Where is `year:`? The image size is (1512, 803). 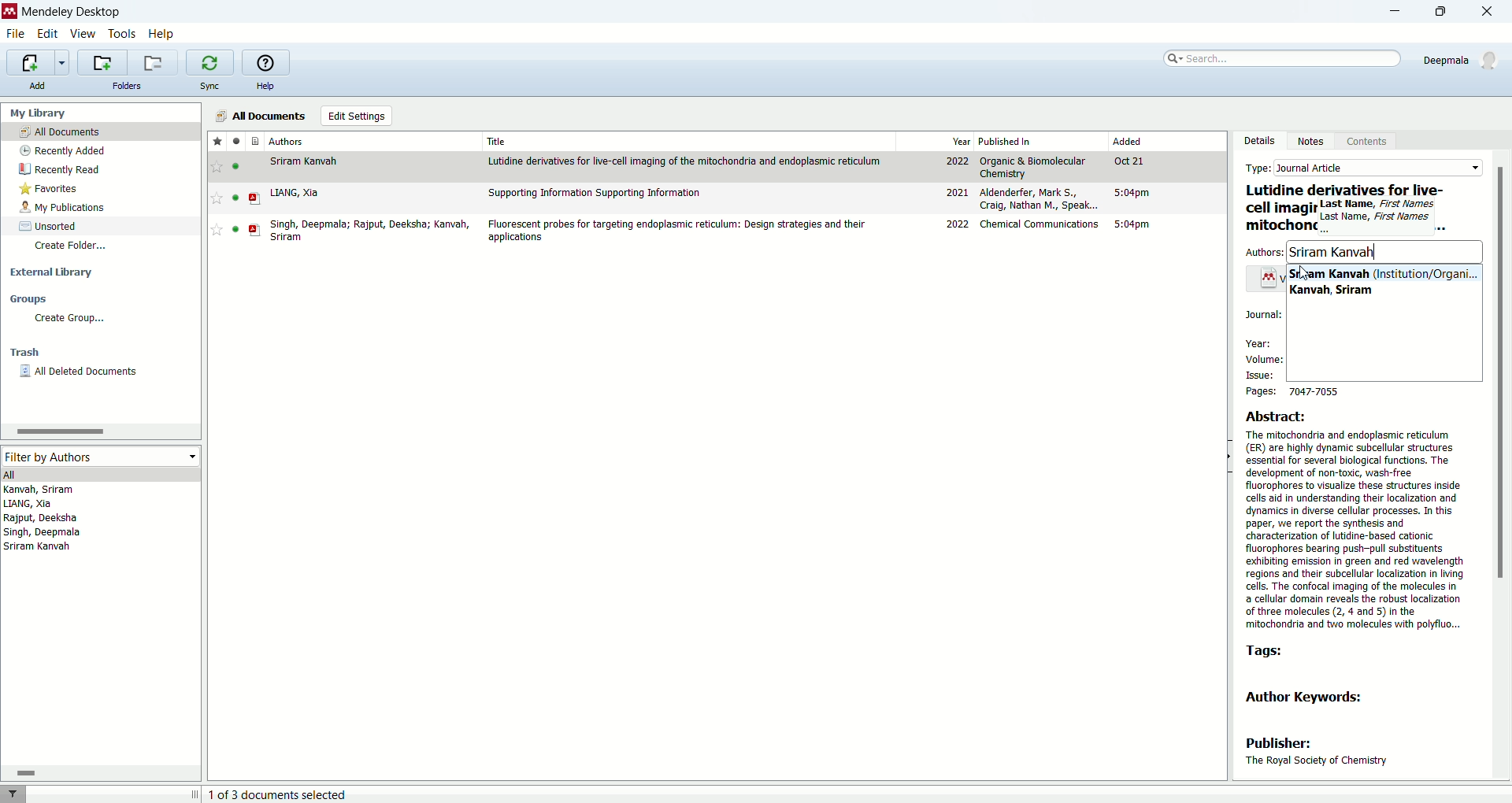
year: is located at coordinates (1261, 343).